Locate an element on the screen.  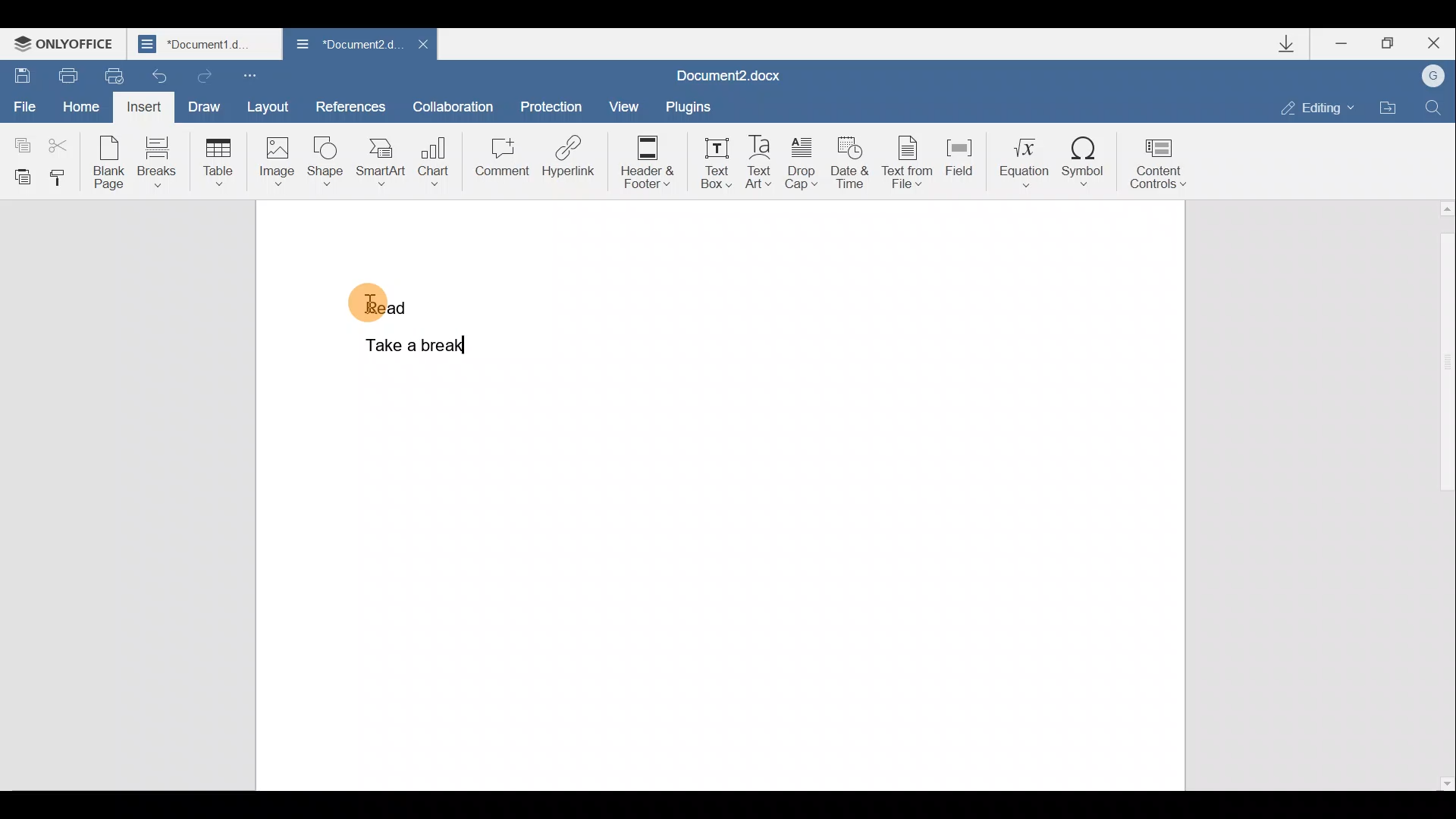
Downloads is located at coordinates (1295, 47).